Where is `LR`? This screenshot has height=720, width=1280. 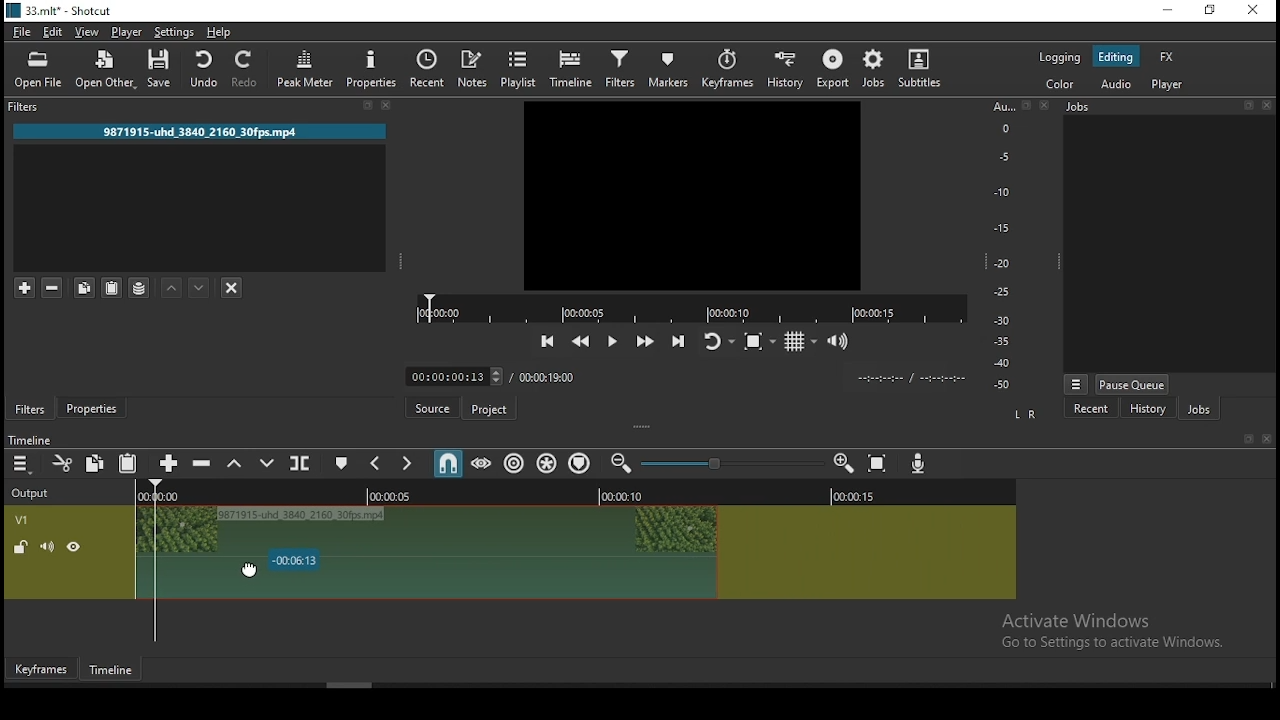
LR is located at coordinates (1027, 417).